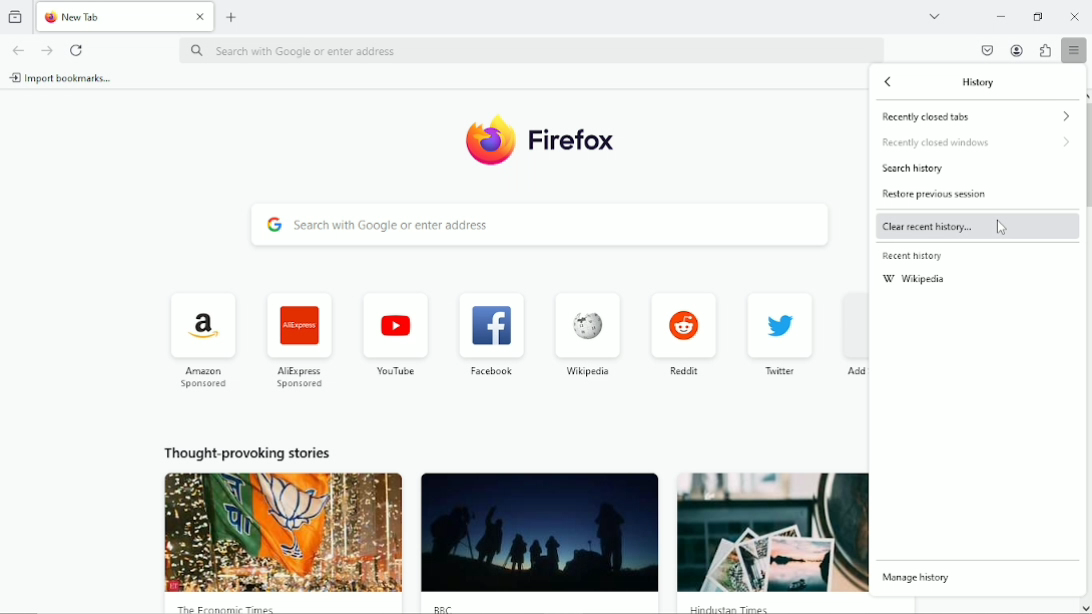 The image size is (1092, 614). Describe the element at coordinates (395, 333) in the screenshot. I see `Youtube` at that location.